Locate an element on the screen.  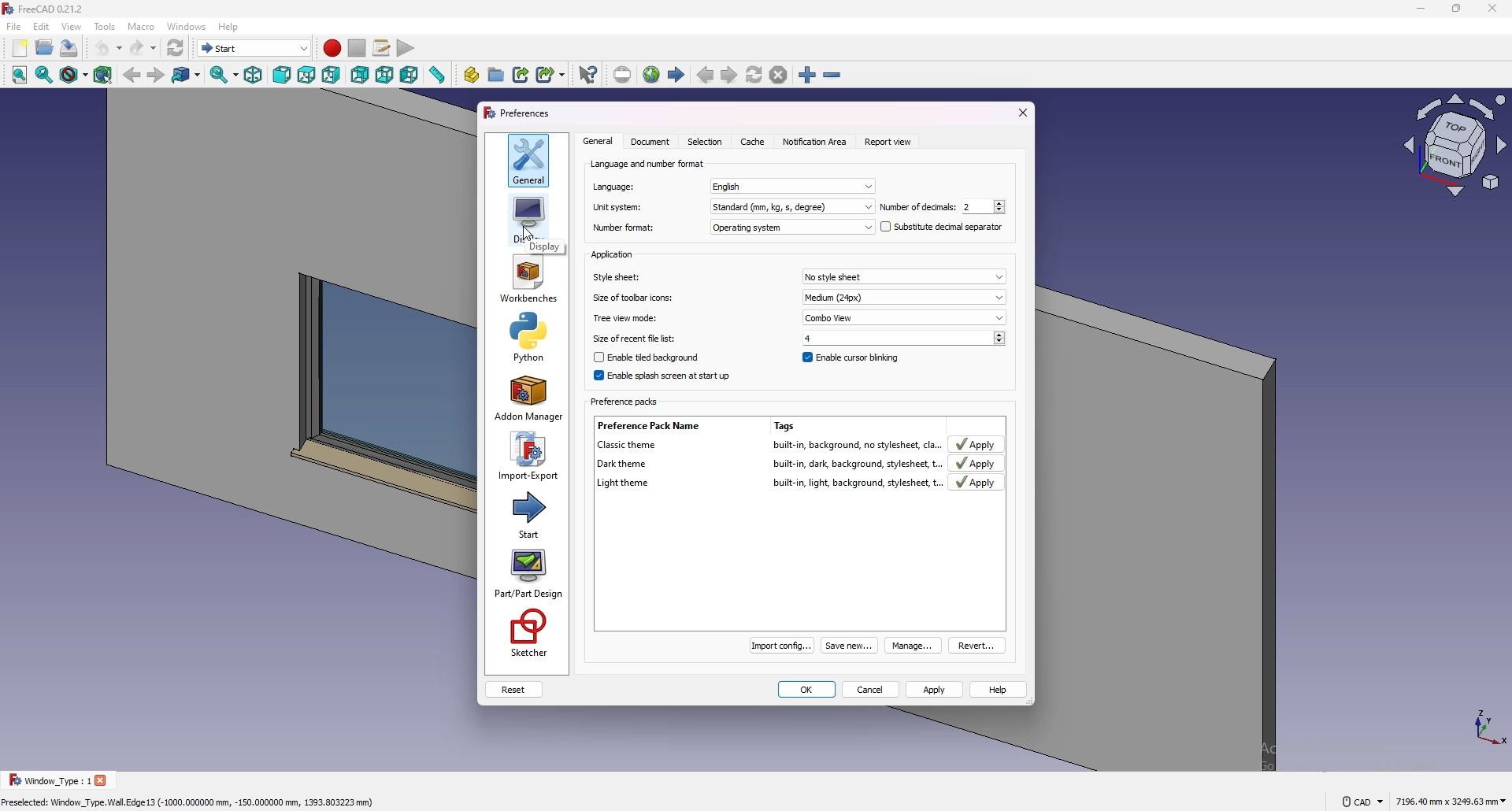
Apply is located at coordinates (976, 443).